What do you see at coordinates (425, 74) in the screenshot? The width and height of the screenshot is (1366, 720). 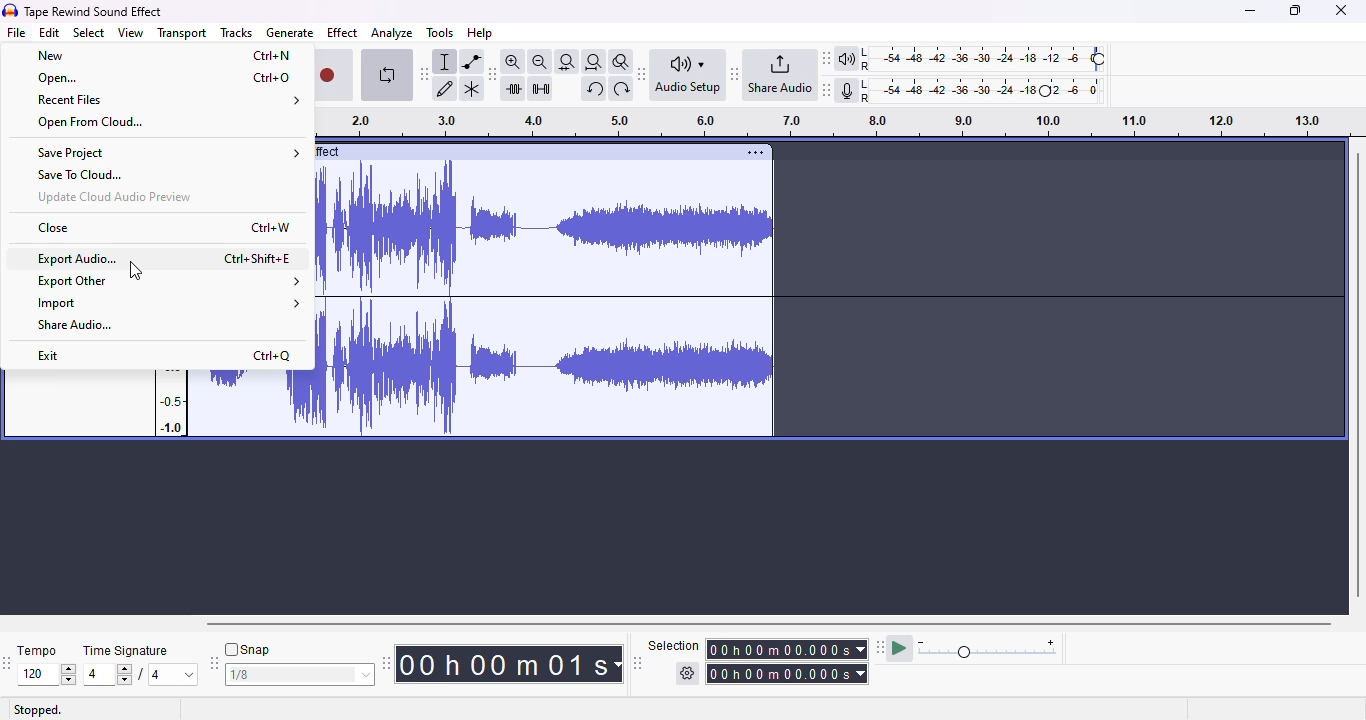 I see `audacity tools toolbar` at bounding box center [425, 74].